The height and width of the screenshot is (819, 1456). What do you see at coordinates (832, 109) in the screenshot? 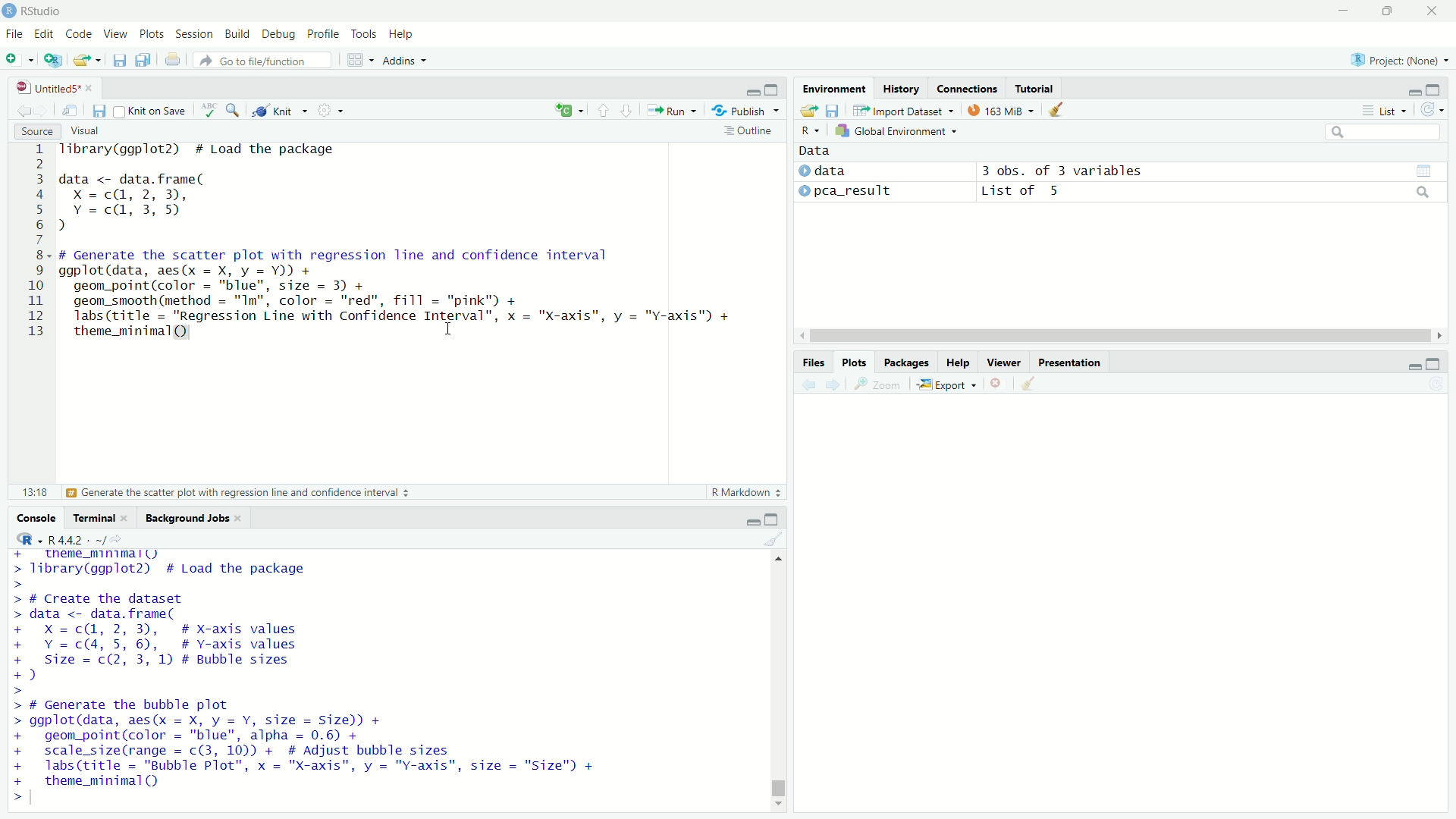
I see `Save workspace as` at bounding box center [832, 109].